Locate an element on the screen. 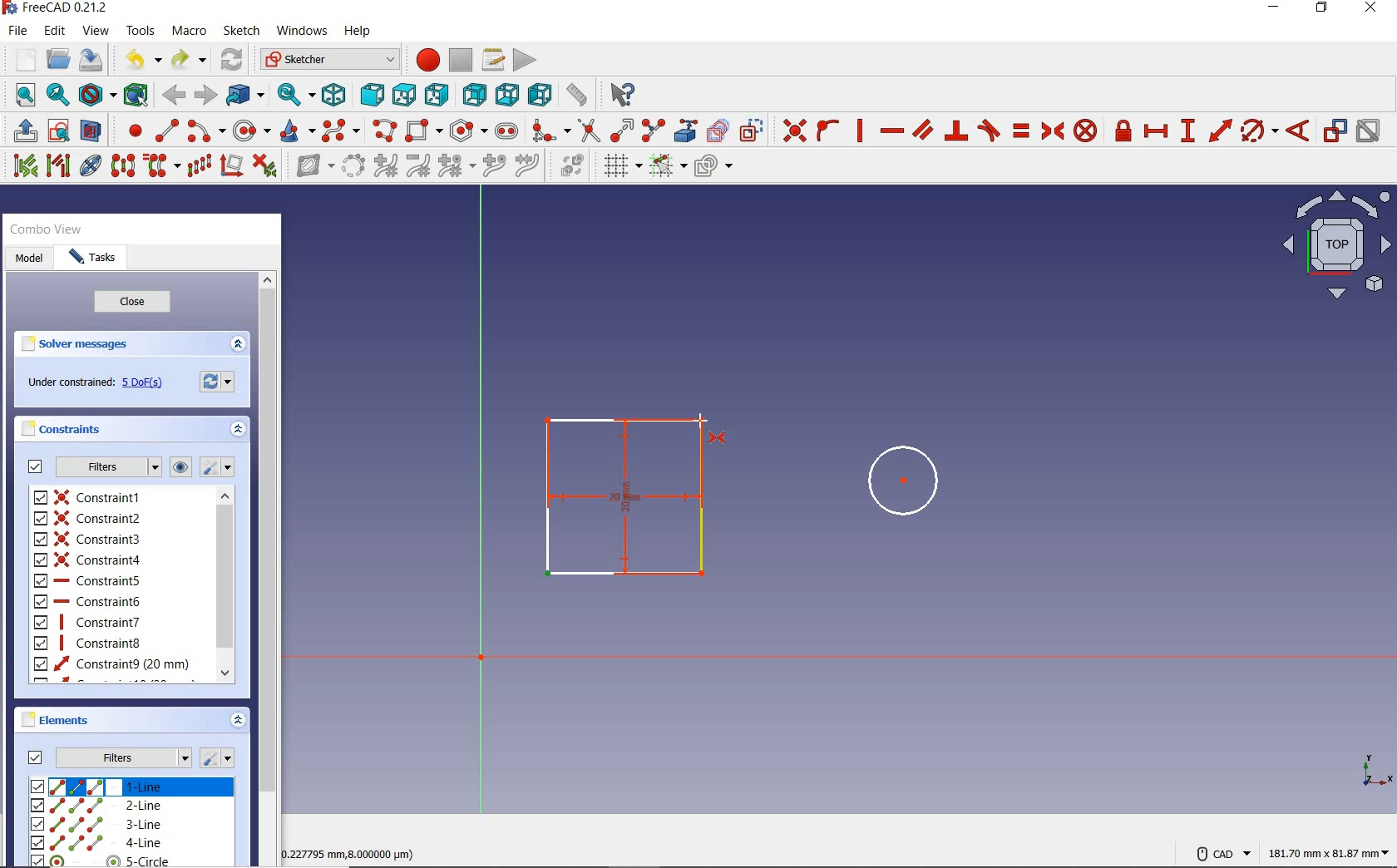 This screenshot has height=868, width=1397. constrain perpendicular is located at coordinates (958, 131).